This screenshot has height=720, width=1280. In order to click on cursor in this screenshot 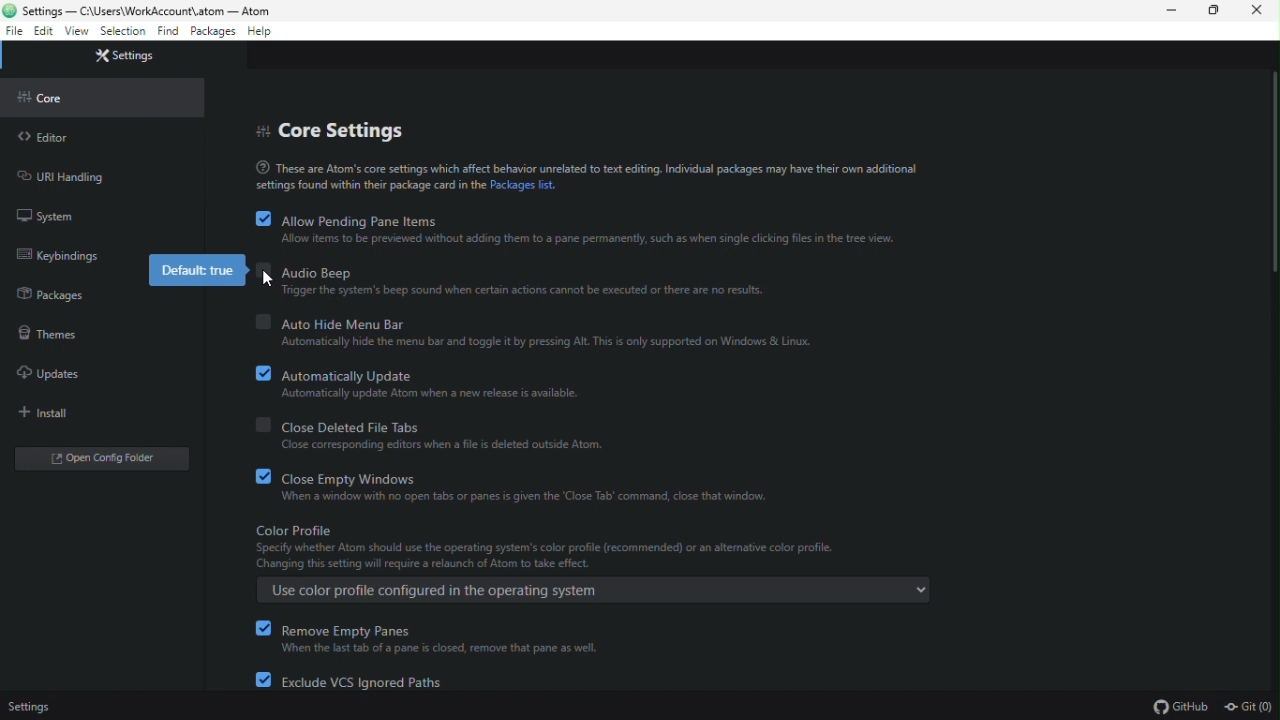, I will do `click(266, 279)`.